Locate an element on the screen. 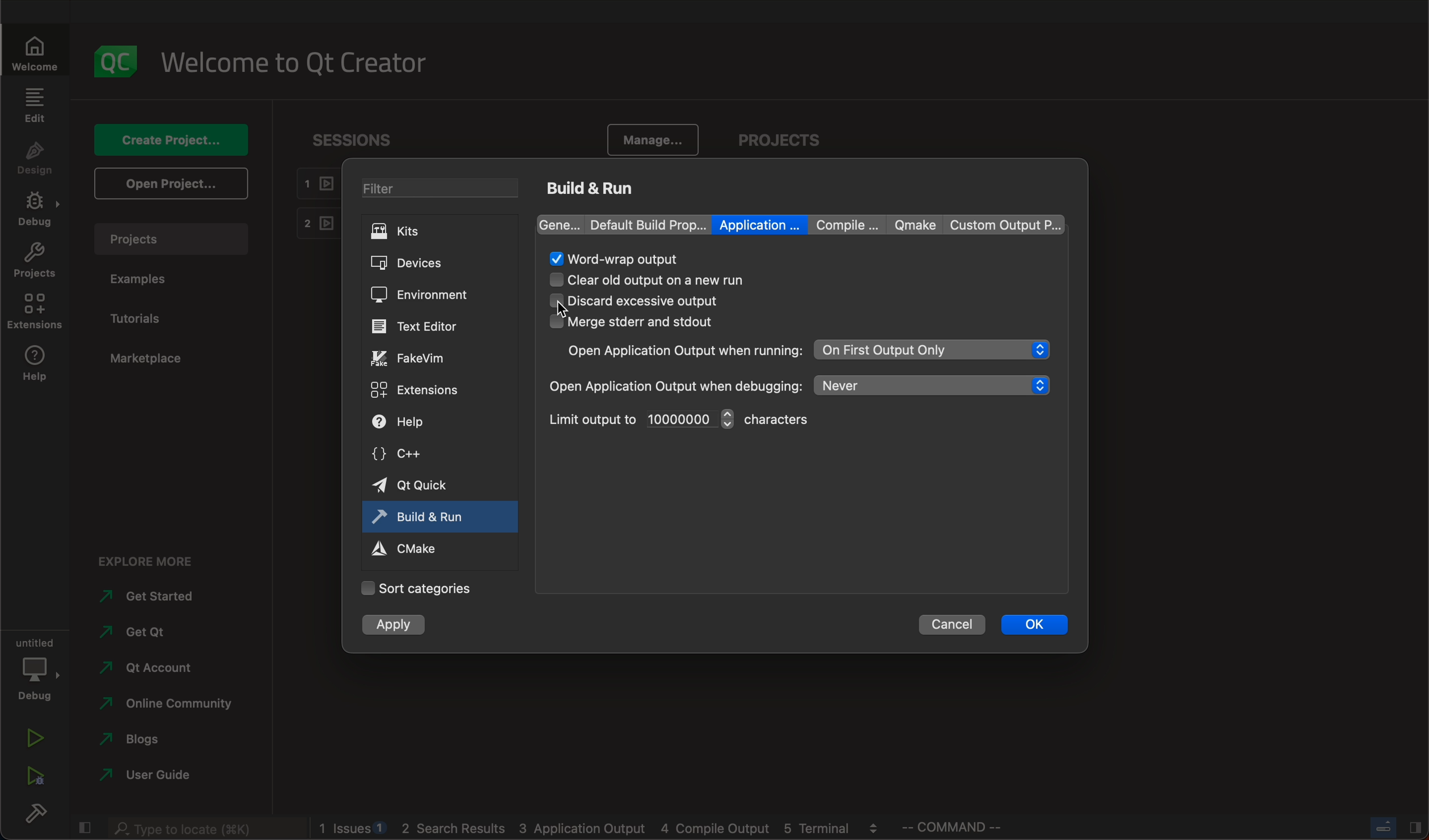 Image resolution: width=1429 pixels, height=840 pixels. build and run is located at coordinates (594, 187).